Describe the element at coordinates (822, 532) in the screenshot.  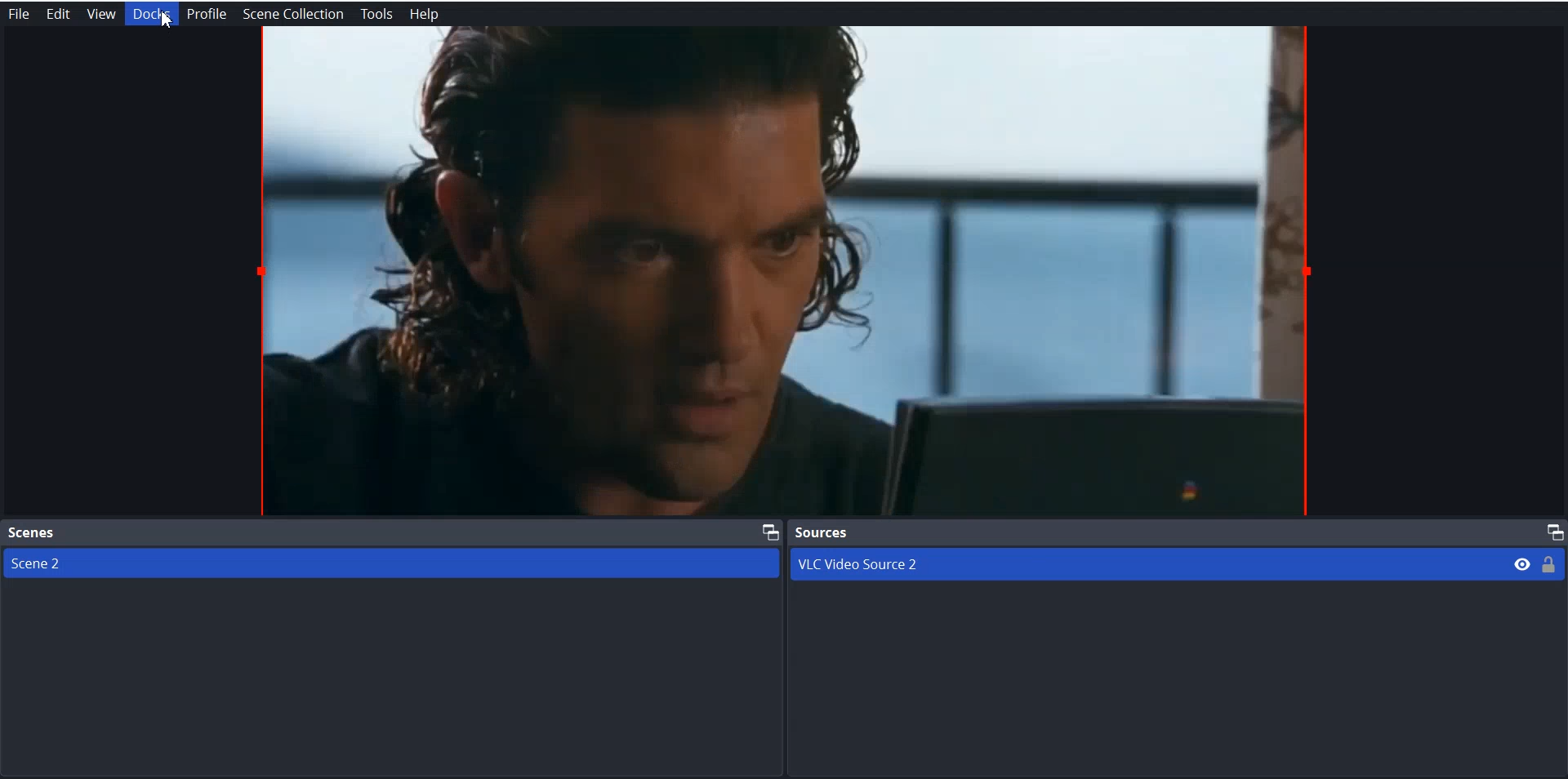
I see `Source` at that location.